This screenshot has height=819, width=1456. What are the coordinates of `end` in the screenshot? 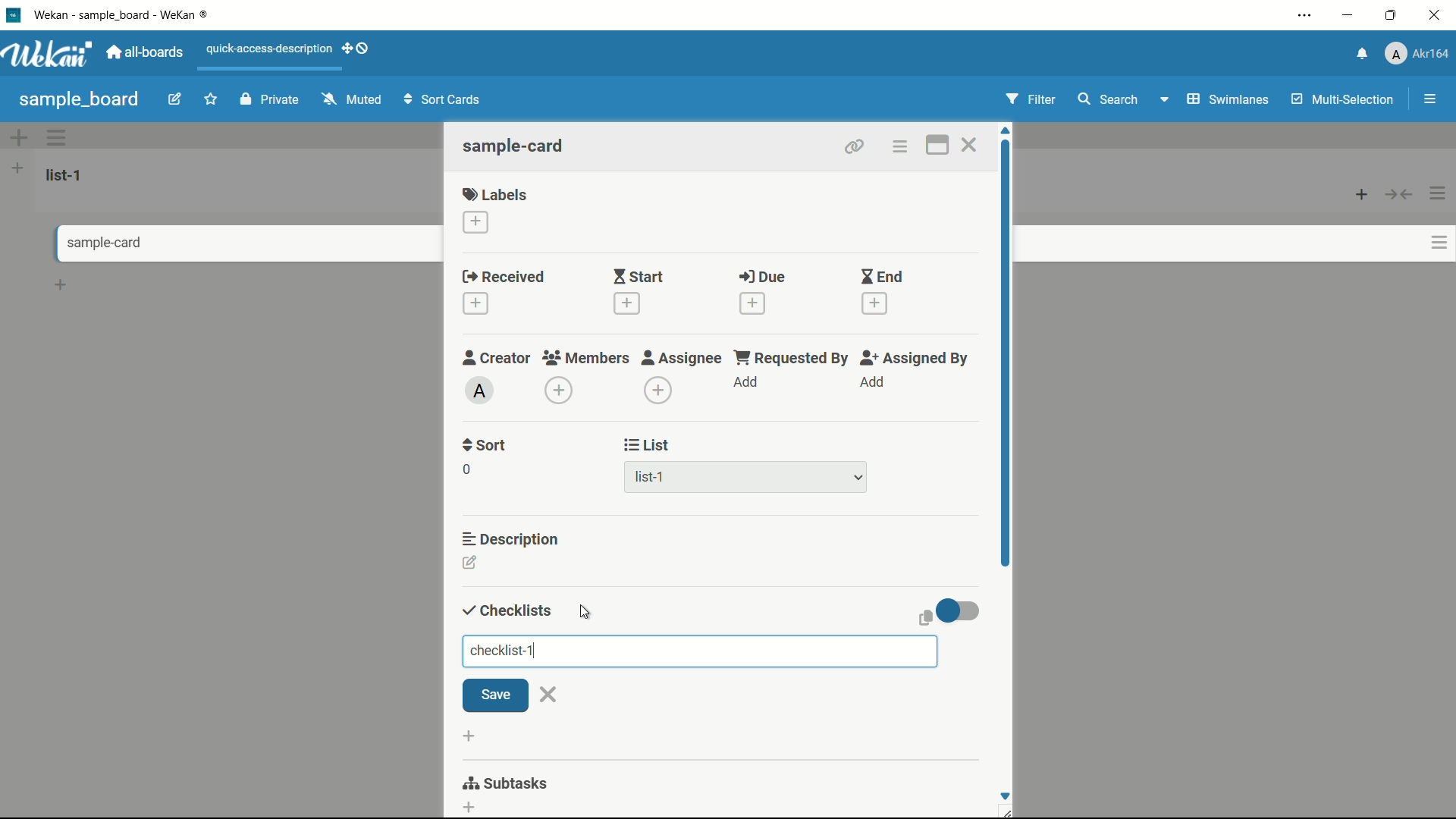 It's located at (881, 278).